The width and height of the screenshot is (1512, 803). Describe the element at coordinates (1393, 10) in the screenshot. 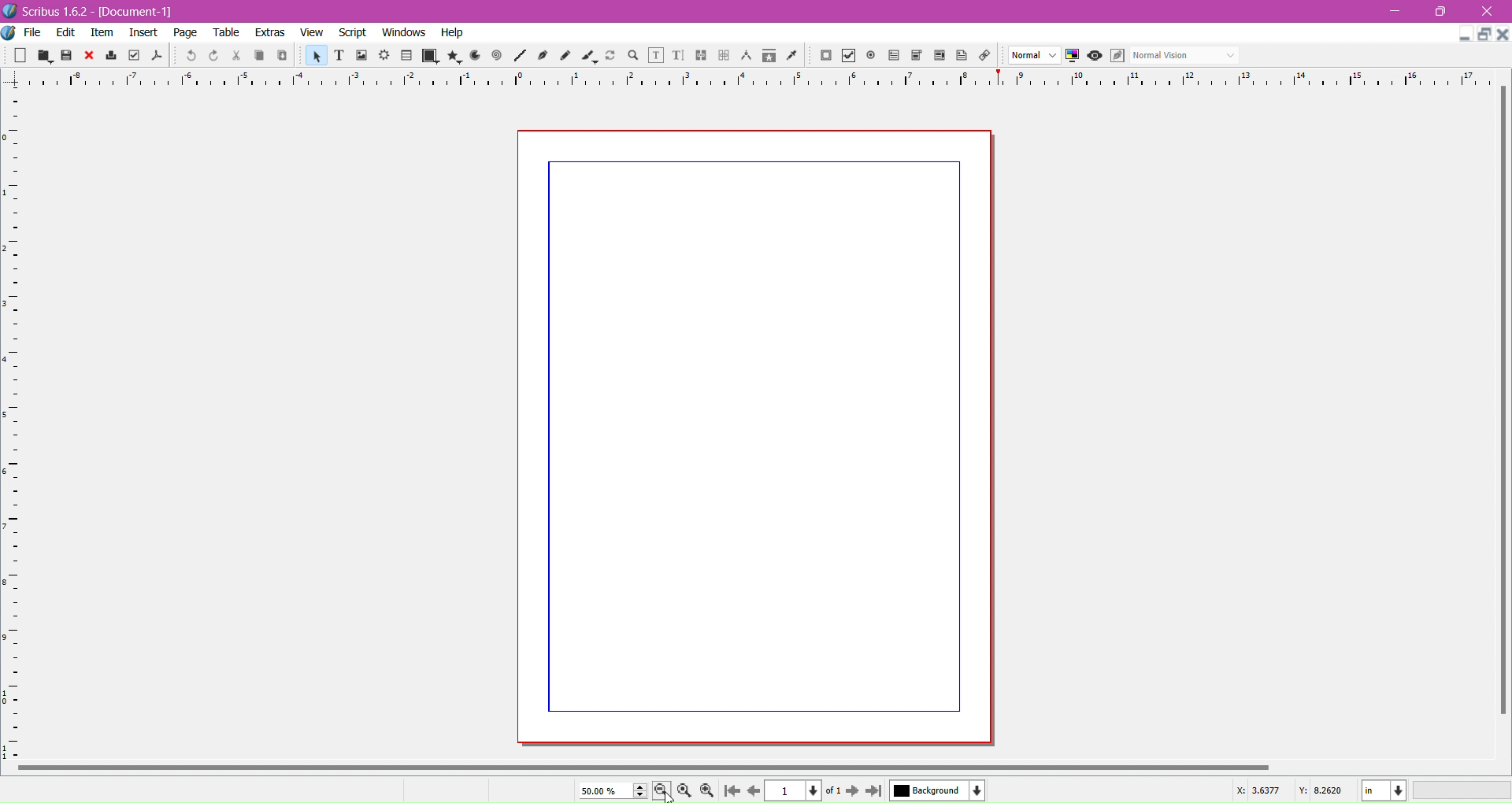

I see `Minimize ` at that location.